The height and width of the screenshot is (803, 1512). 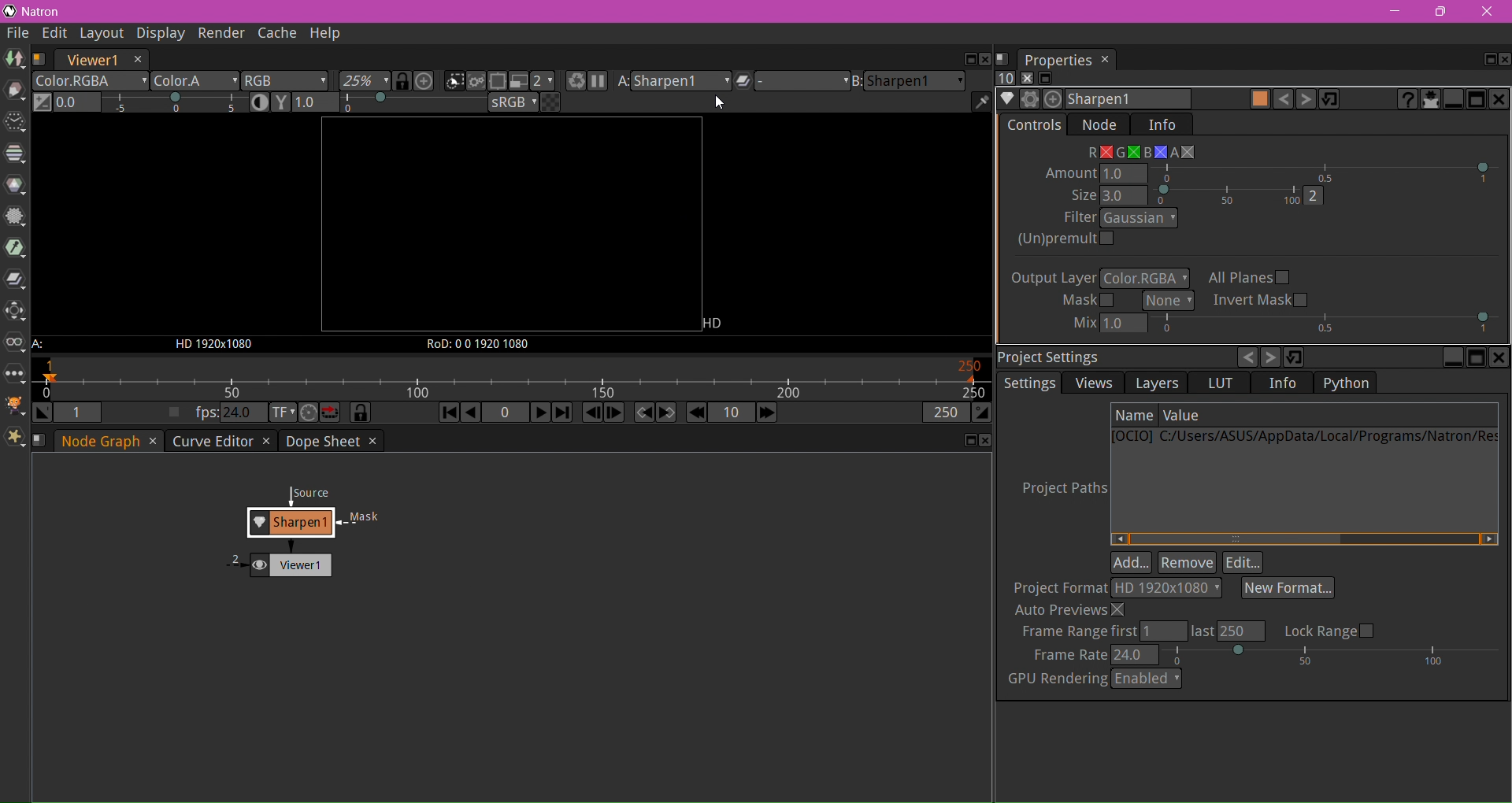 What do you see at coordinates (390, 103) in the screenshot?
I see `Viewer gamma correction level` at bounding box center [390, 103].